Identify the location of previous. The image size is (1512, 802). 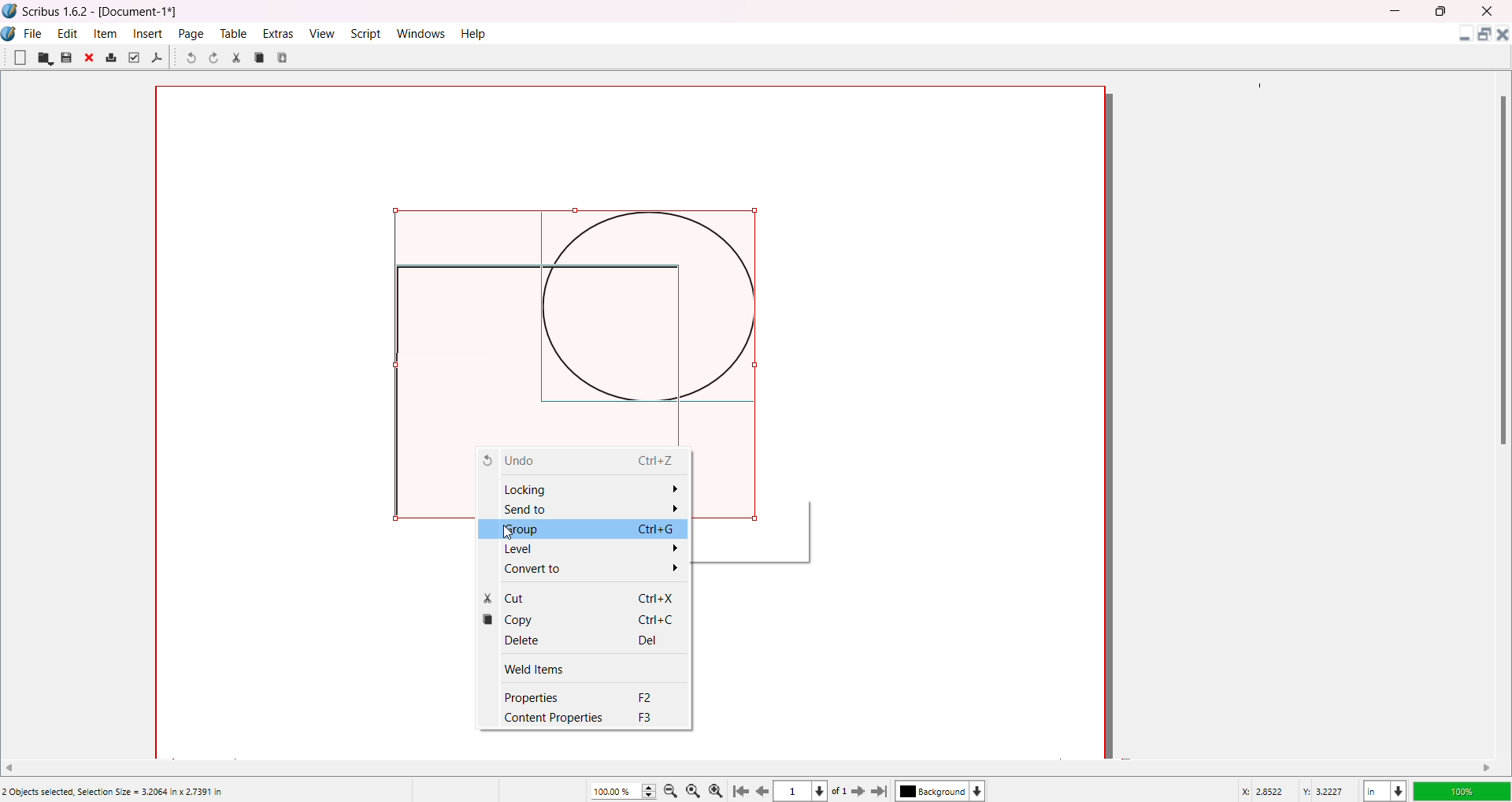
(765, 793).